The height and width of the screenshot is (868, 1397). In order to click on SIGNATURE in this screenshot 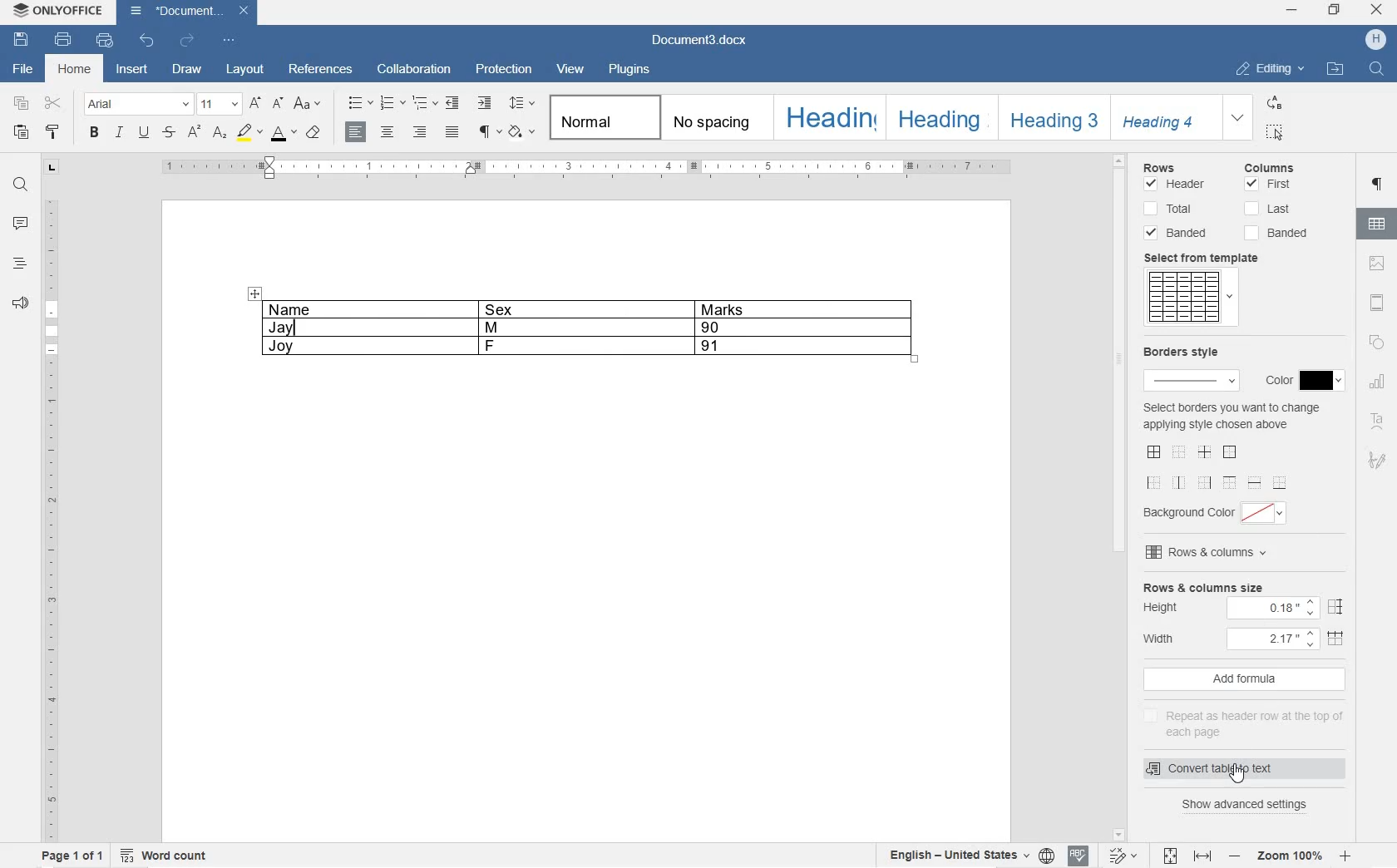, I will do `click(1377, 462)`.